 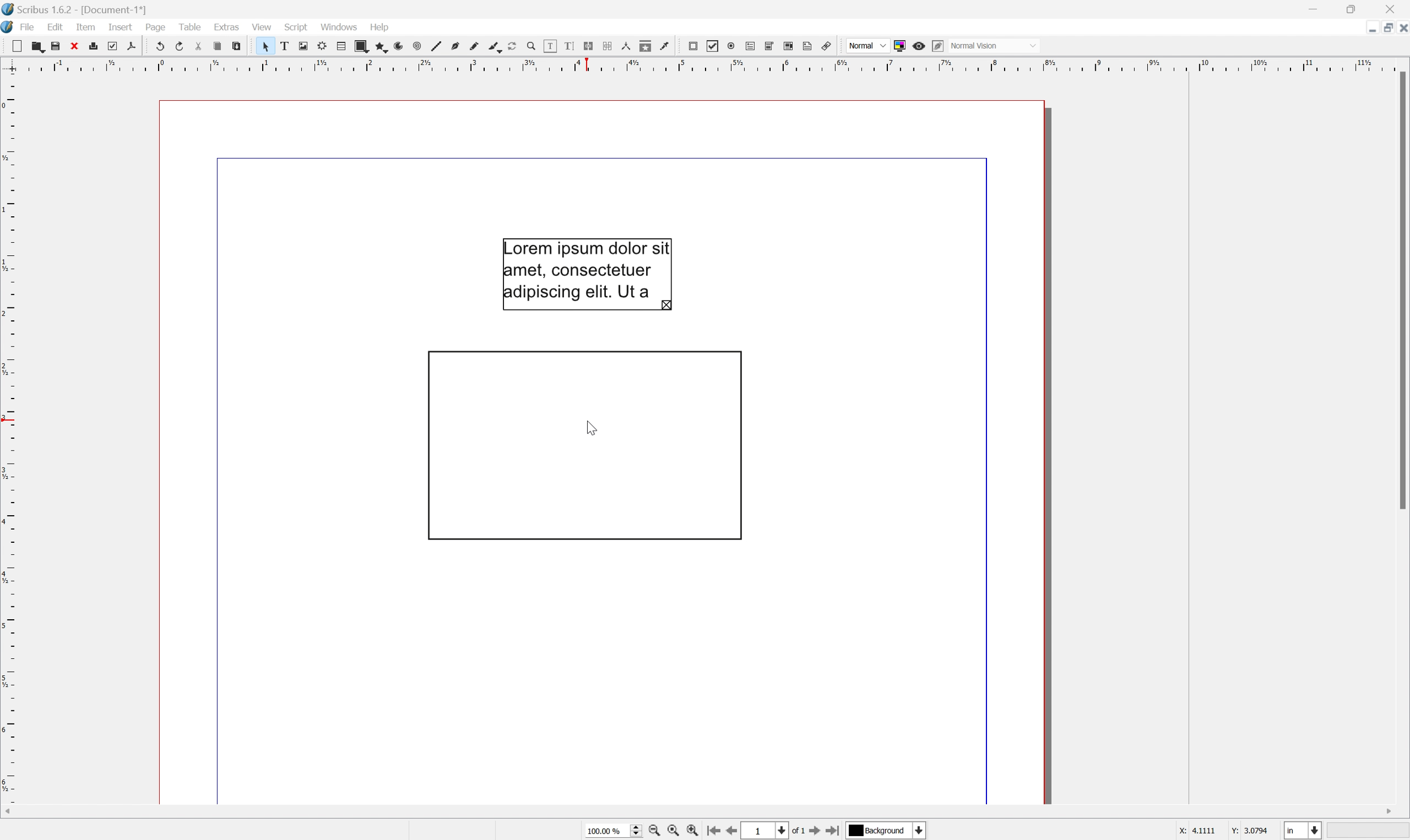 I want to click on Toggle color management system, so click(x=896, y=44).